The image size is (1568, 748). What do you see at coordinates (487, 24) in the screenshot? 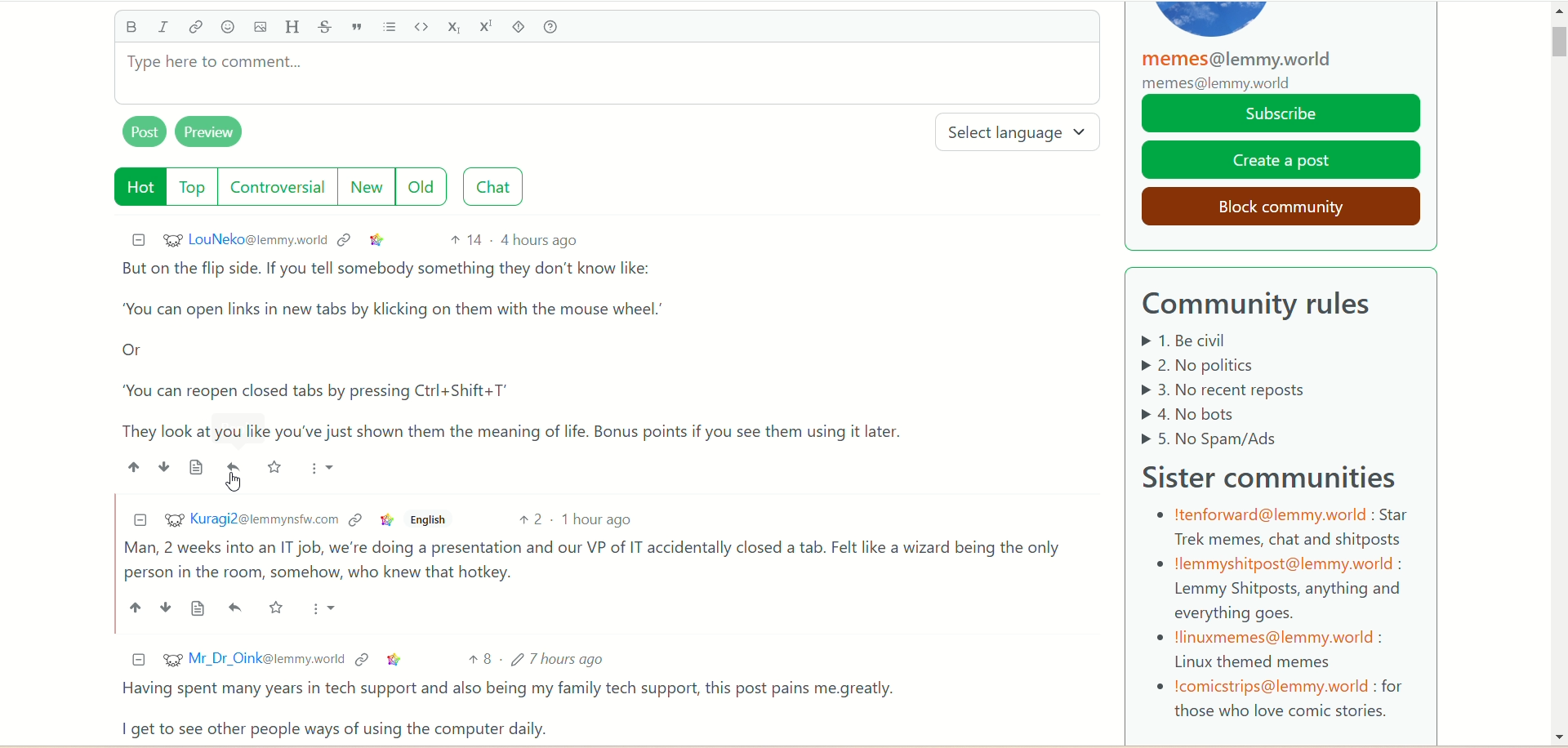
I see `superscript` at bounding box center [487, 24].